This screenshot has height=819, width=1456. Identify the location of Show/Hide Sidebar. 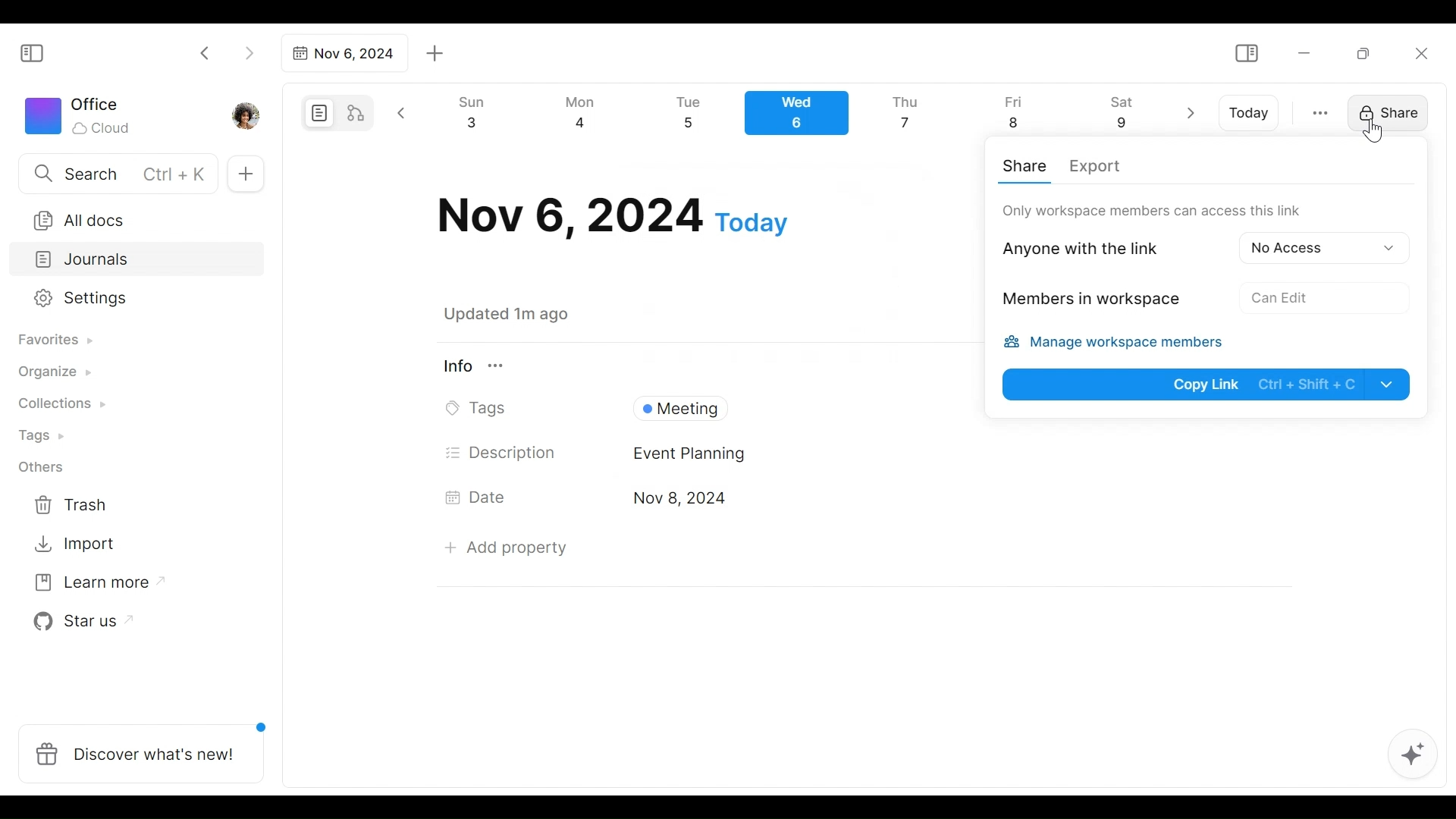
(1246, 54).